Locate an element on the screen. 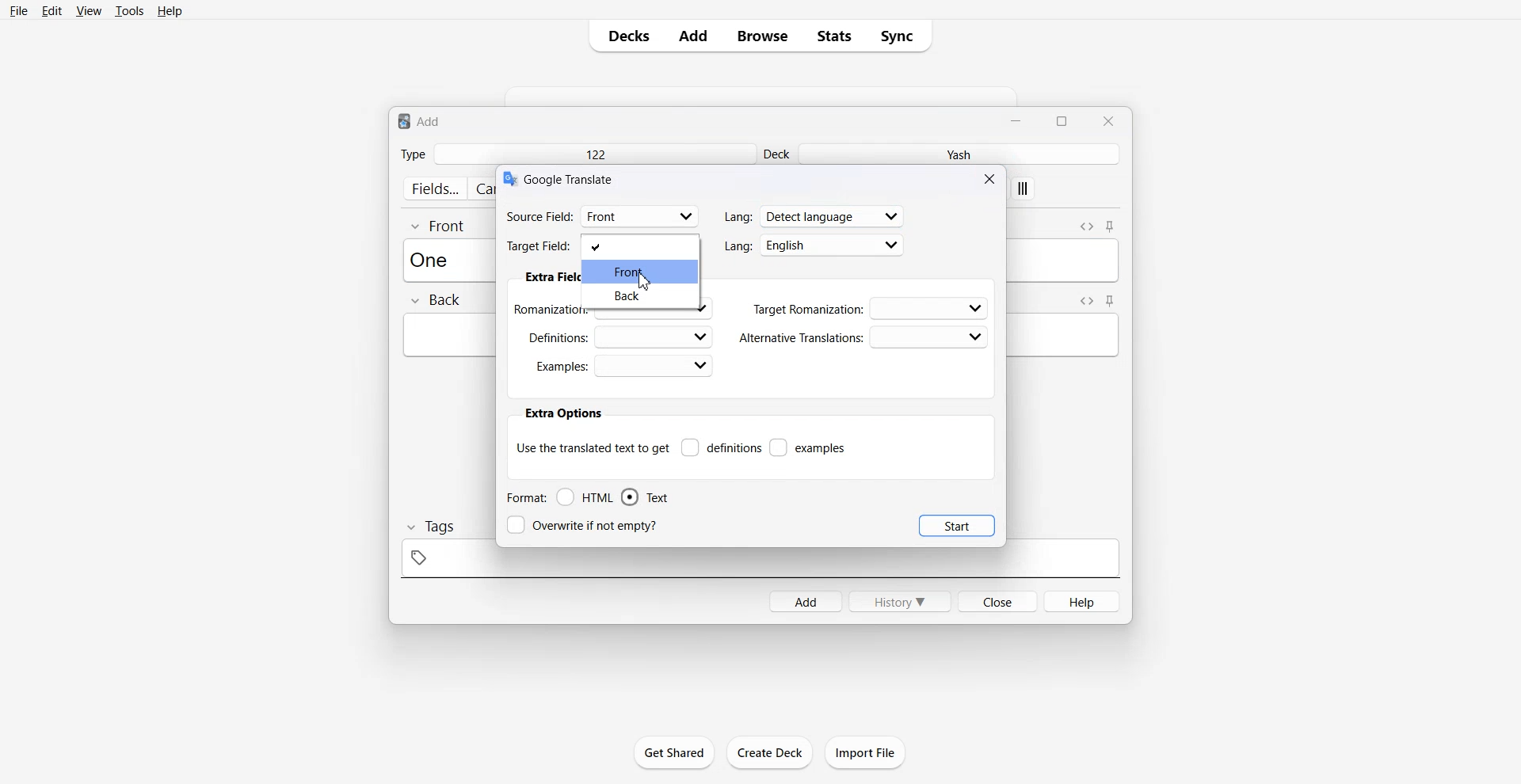  Overwrite if not empty is located at coordinates (585, 525).